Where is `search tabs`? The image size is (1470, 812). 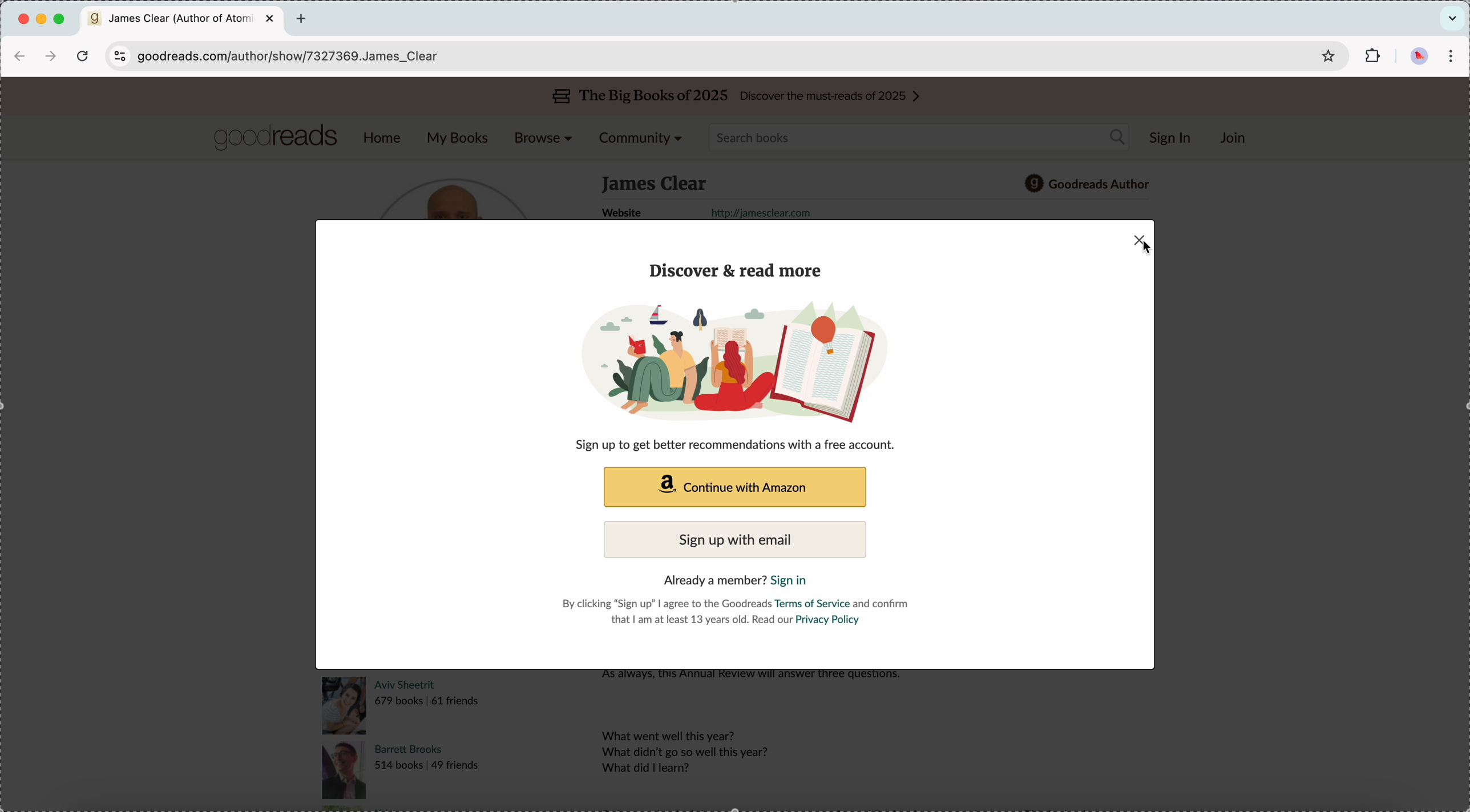
search tabs is located at coordinates (1452, 17).